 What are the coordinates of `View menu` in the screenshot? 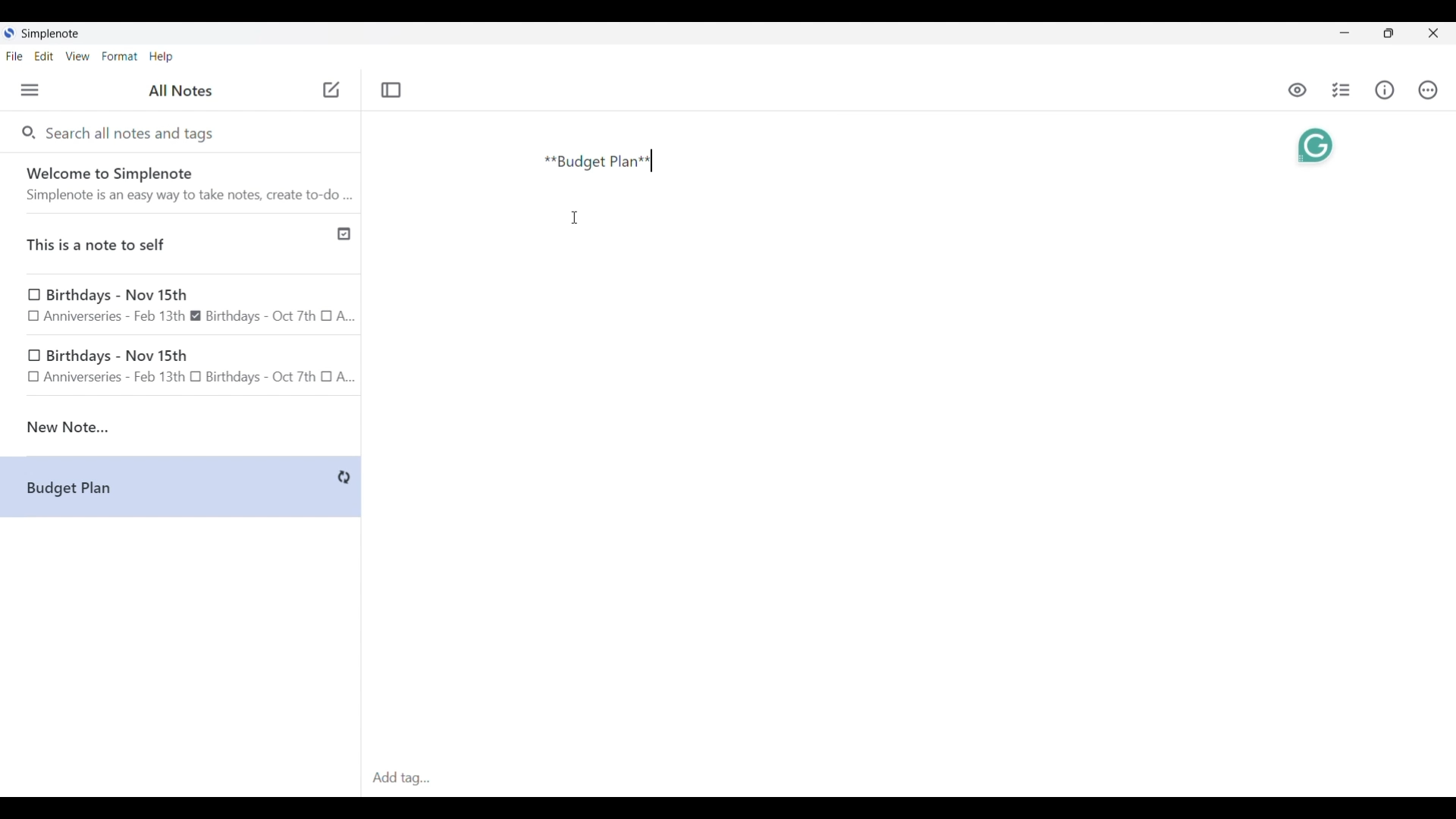 It's located at (78, 55).